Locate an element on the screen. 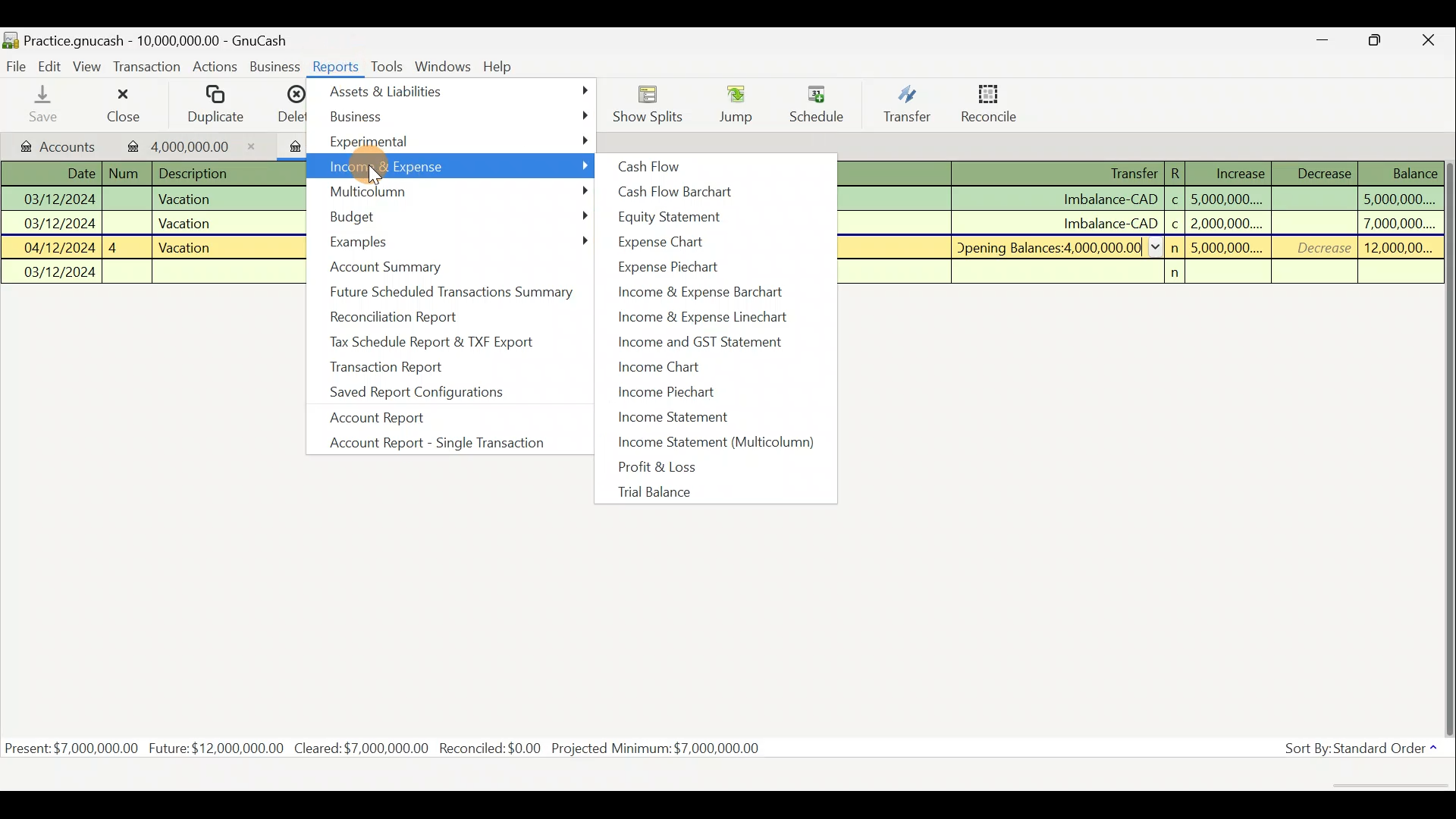  Income & expense linechart is located at coordinates (721, 315).